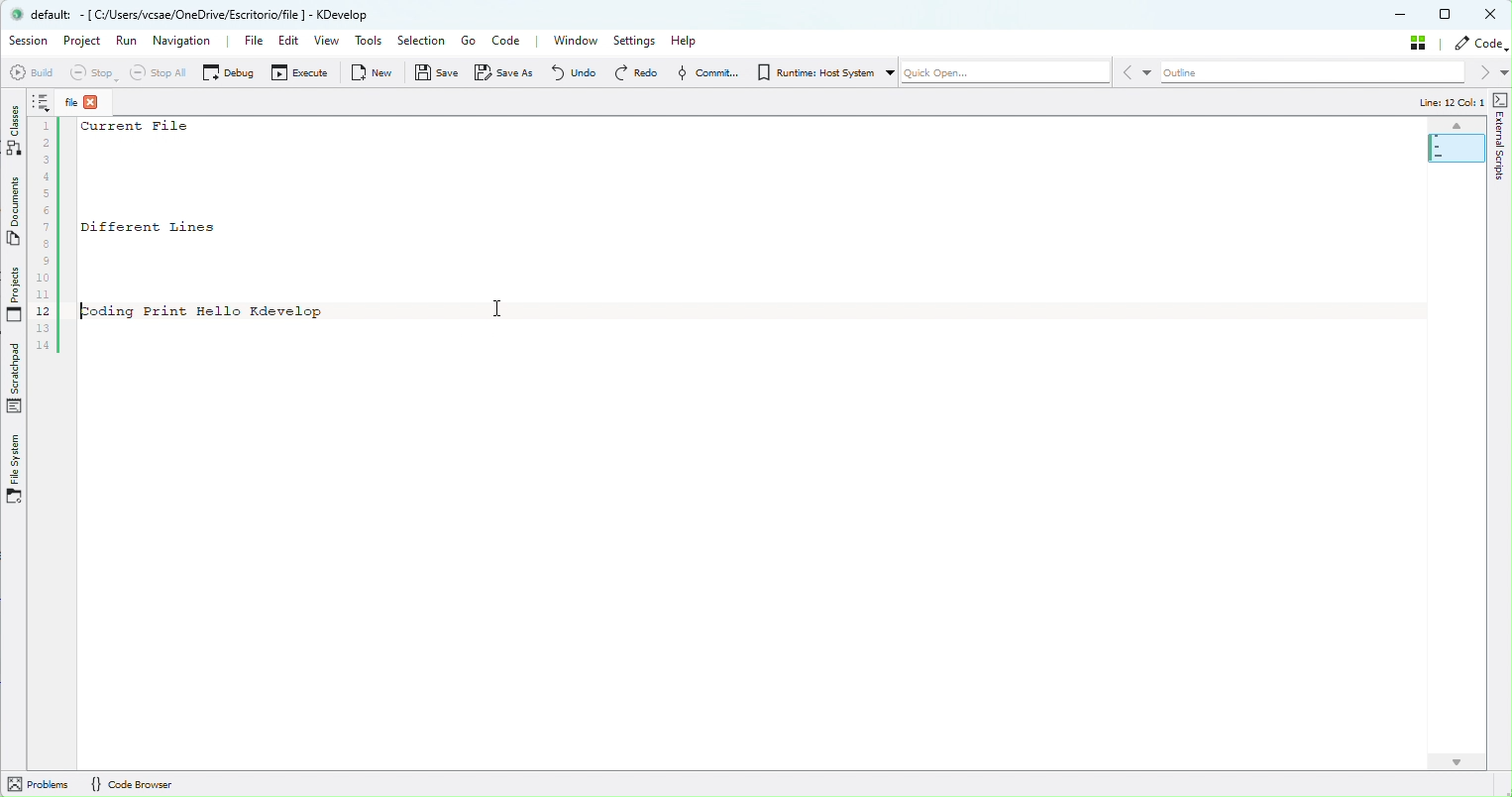  I want to click on Notes, so click(43, 100).